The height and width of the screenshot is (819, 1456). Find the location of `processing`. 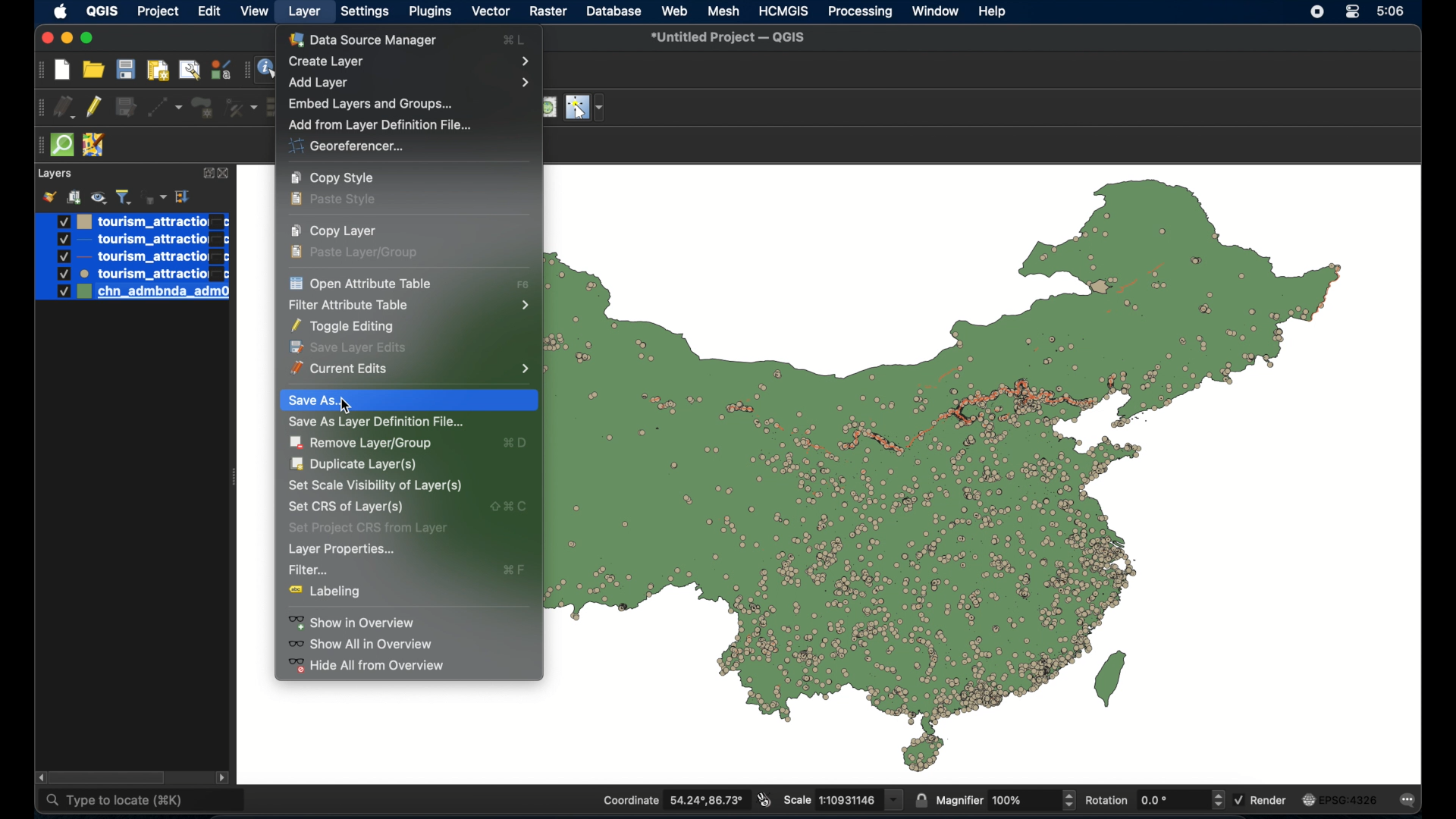

processing is located at coordinates (859, 12).